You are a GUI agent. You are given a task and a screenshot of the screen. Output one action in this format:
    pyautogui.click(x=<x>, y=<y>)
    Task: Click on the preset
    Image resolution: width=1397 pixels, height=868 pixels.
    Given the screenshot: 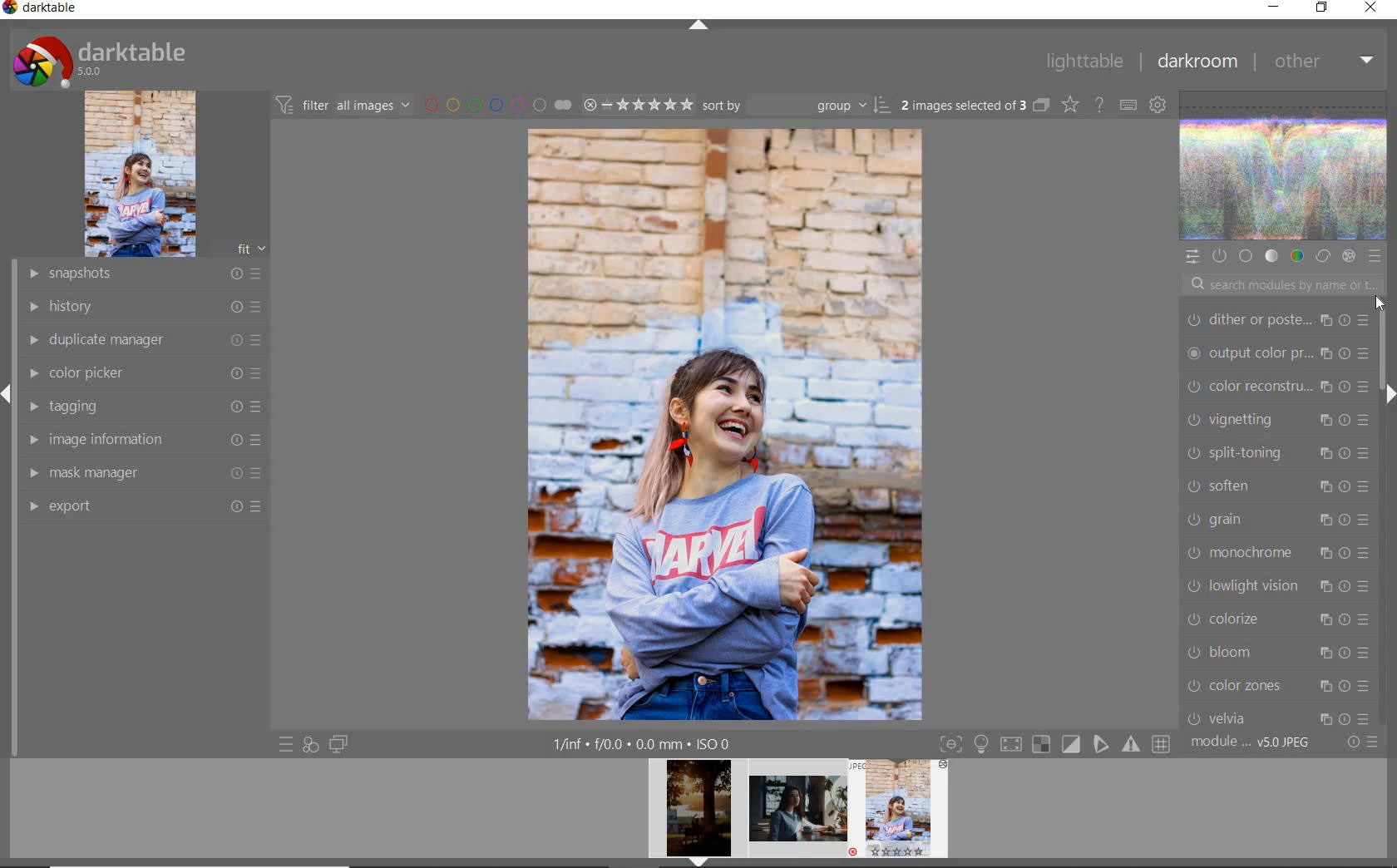 What is the action you would take?
    pyautogui.click(x=1375, y=256)
    